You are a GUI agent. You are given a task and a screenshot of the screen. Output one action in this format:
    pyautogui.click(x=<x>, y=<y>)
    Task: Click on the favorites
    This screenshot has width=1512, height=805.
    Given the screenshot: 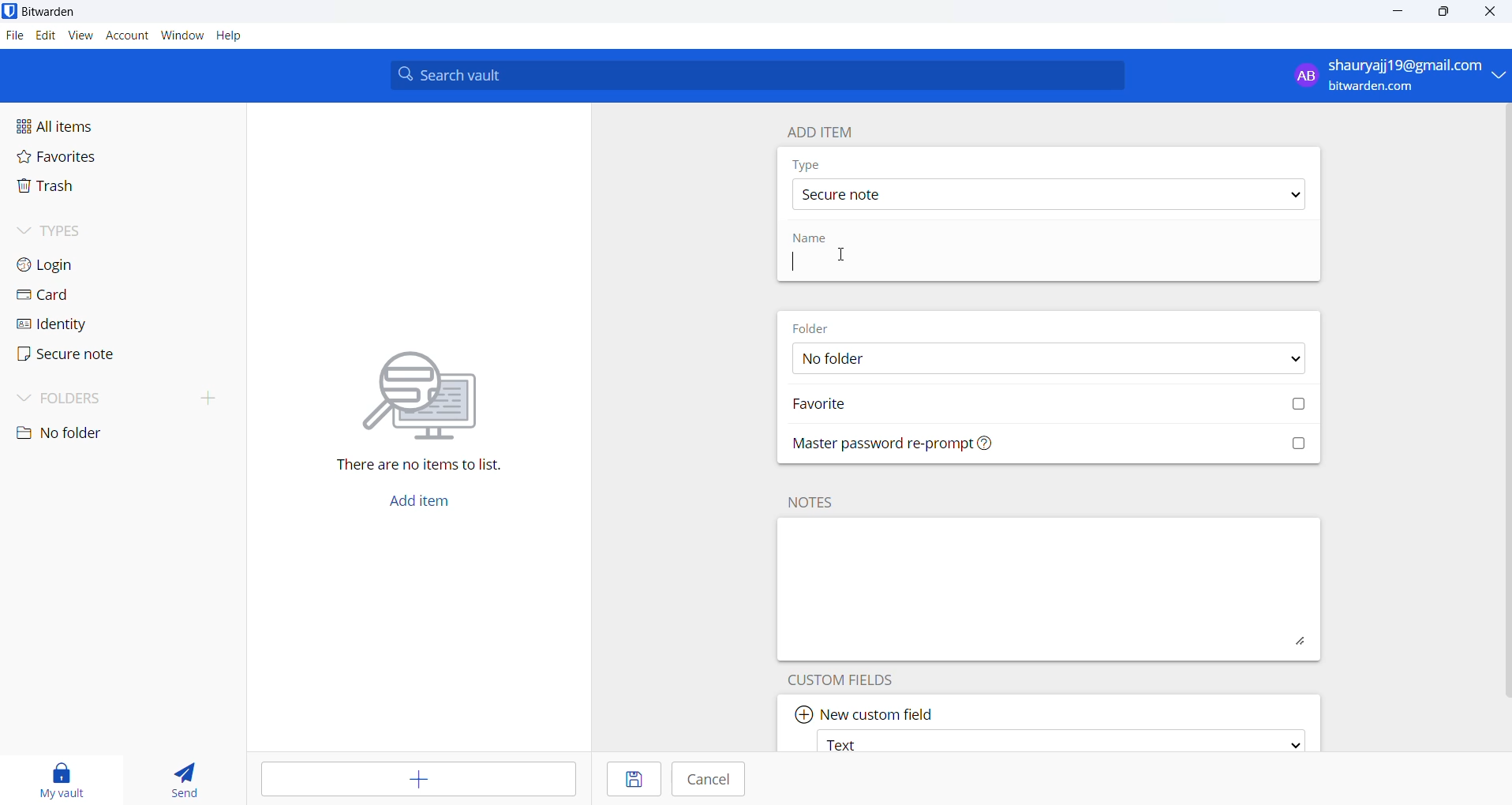 What is the action you would take?
    pyautogui.click(x=80, y=159)
    